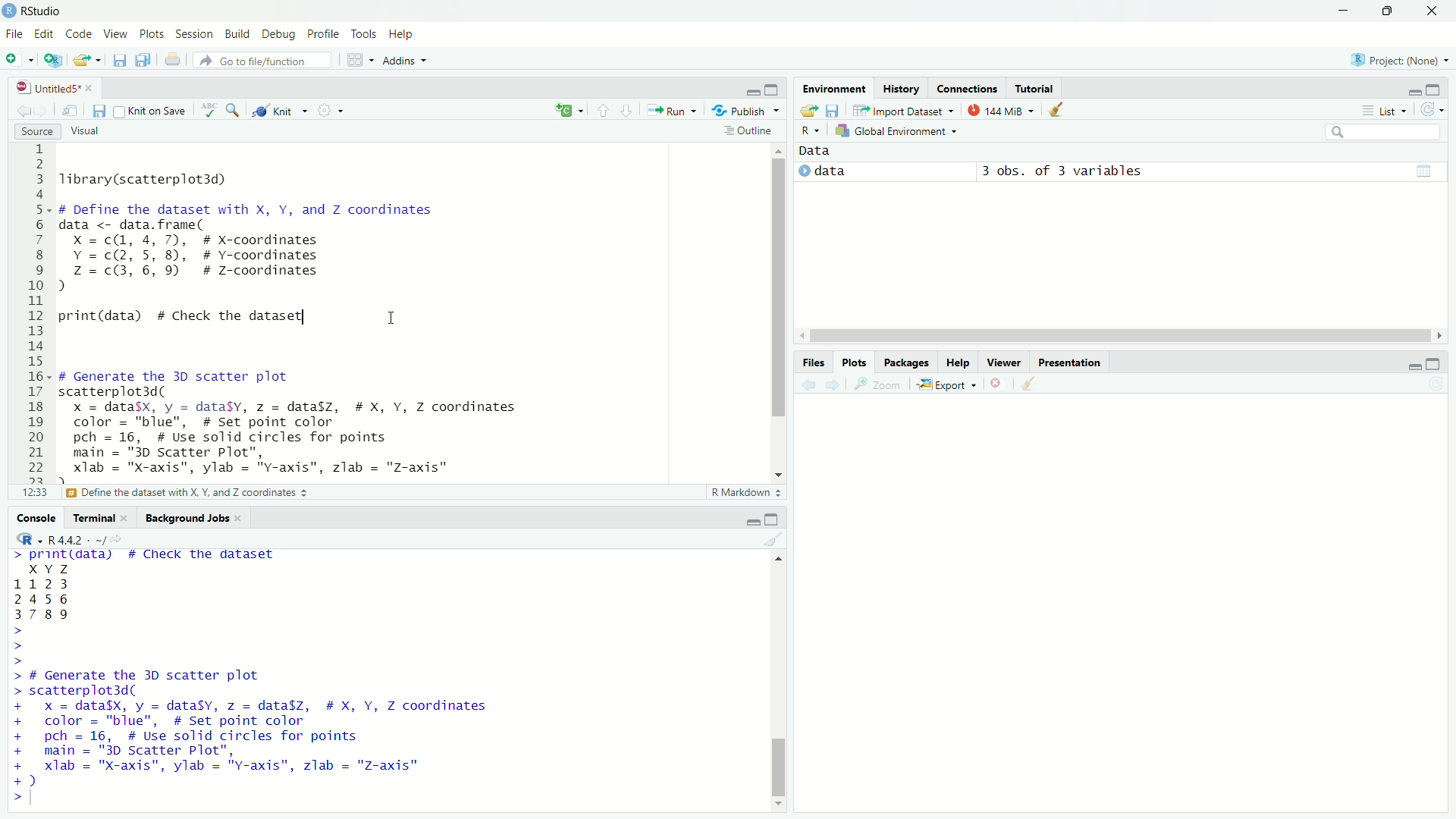  I want to click on play, so click(800, 172).